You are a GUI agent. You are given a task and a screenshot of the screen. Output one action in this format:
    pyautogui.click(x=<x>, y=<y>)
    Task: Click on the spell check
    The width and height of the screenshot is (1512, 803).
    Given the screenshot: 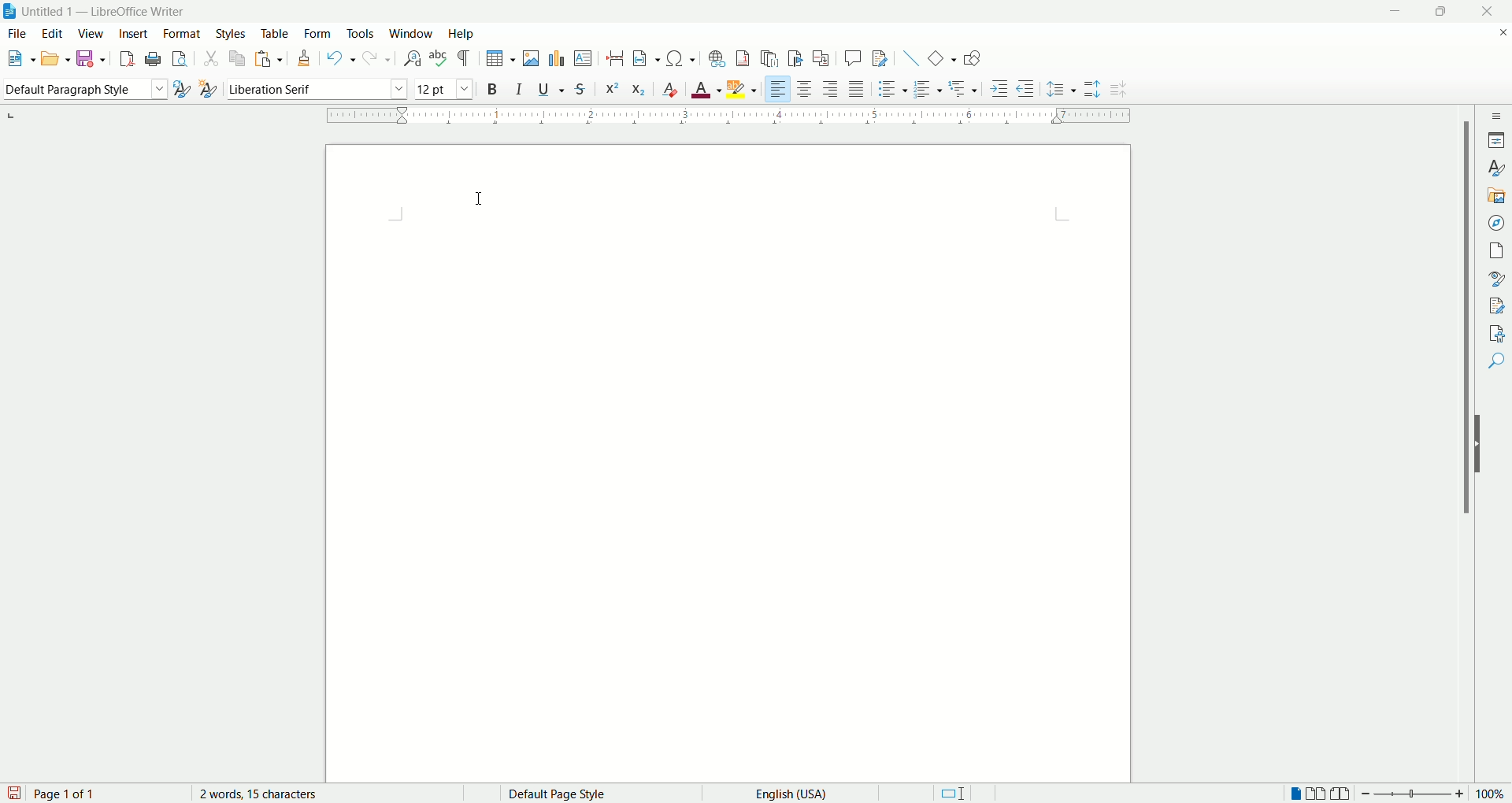 What is the action you would take?
    pyautogui.click(x=436, y=59)
    